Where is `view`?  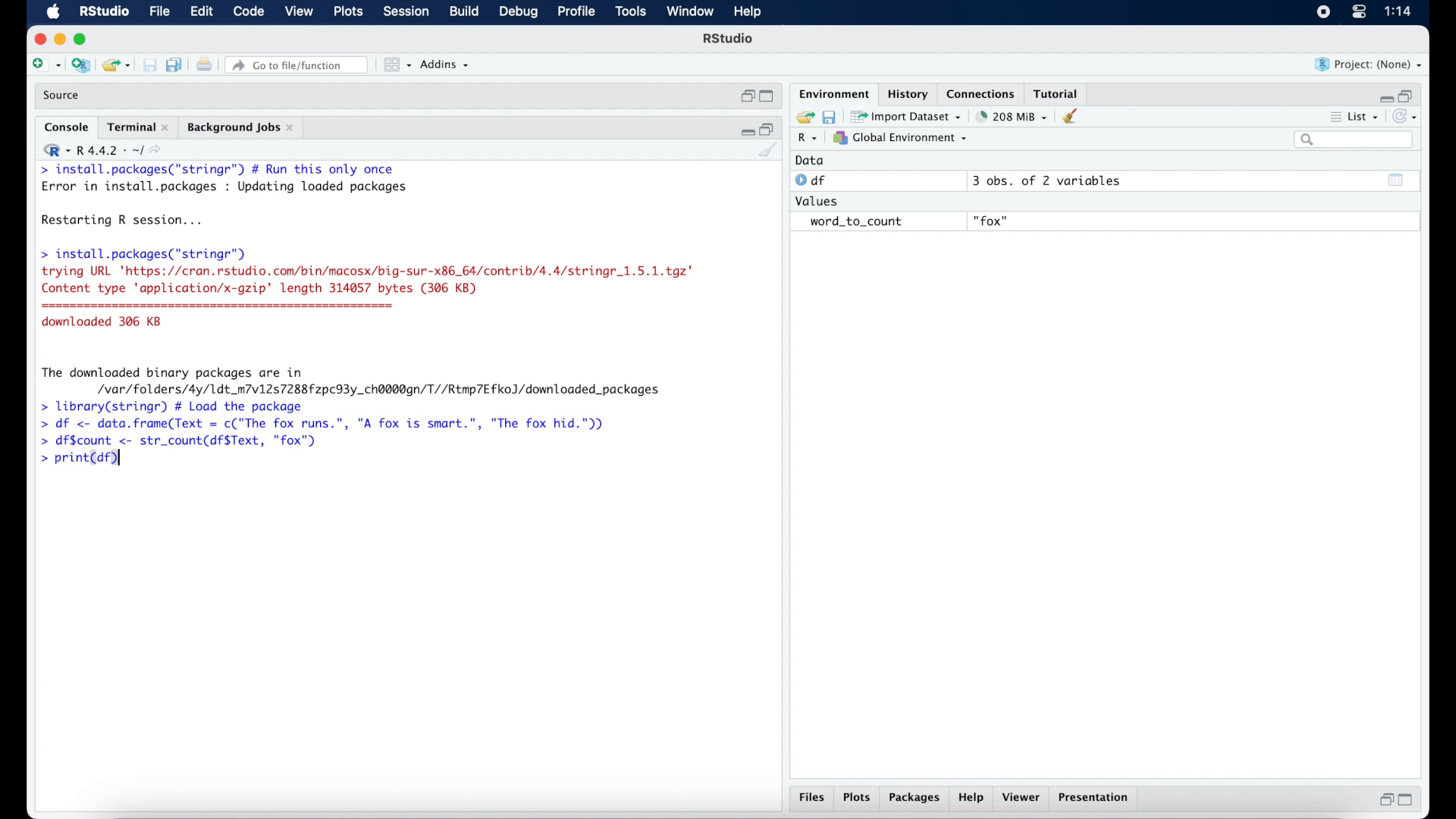 view is located at coordinates (299, 12).